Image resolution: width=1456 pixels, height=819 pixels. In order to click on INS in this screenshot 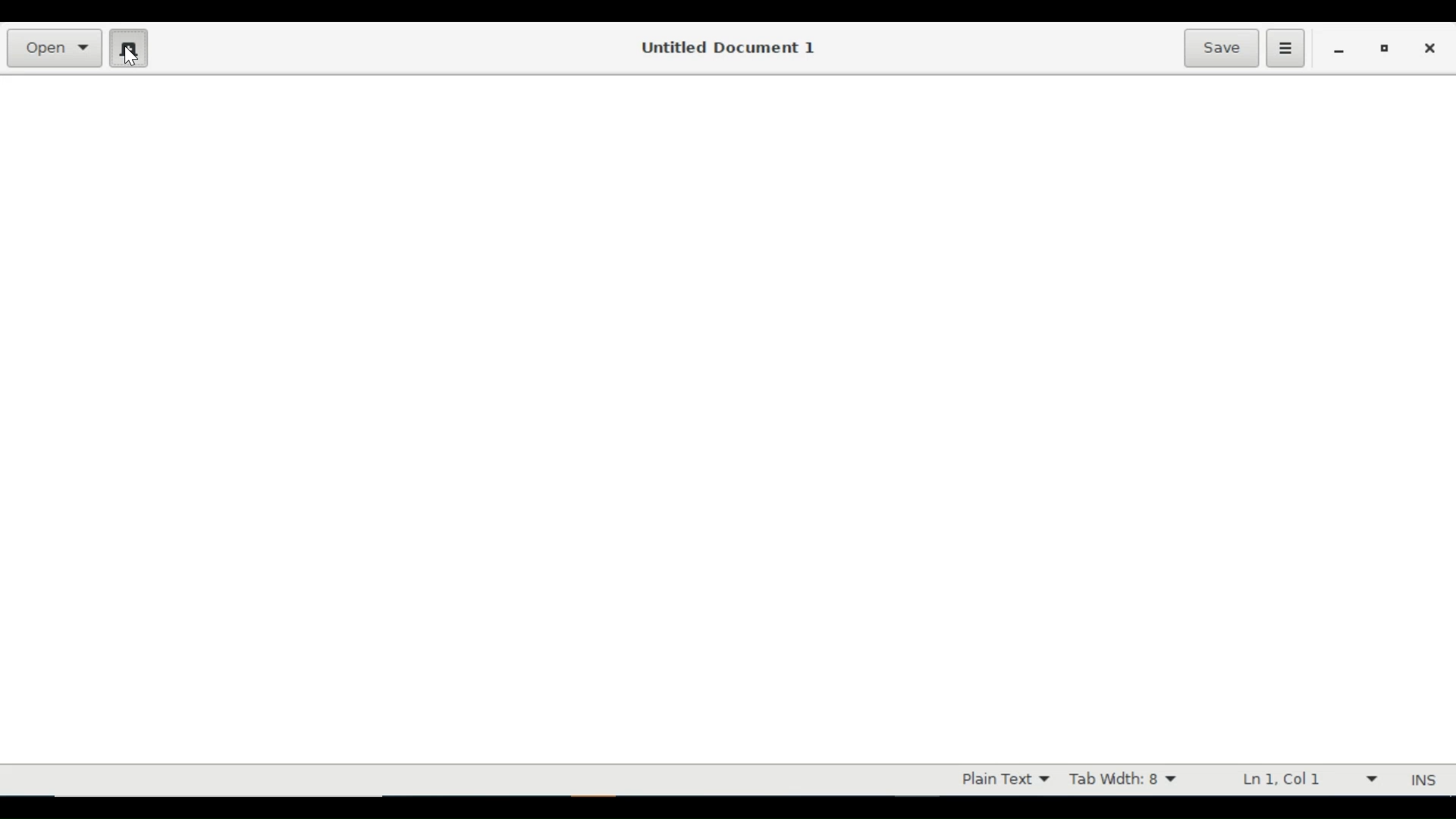, I will do `click(1423, 780)`.